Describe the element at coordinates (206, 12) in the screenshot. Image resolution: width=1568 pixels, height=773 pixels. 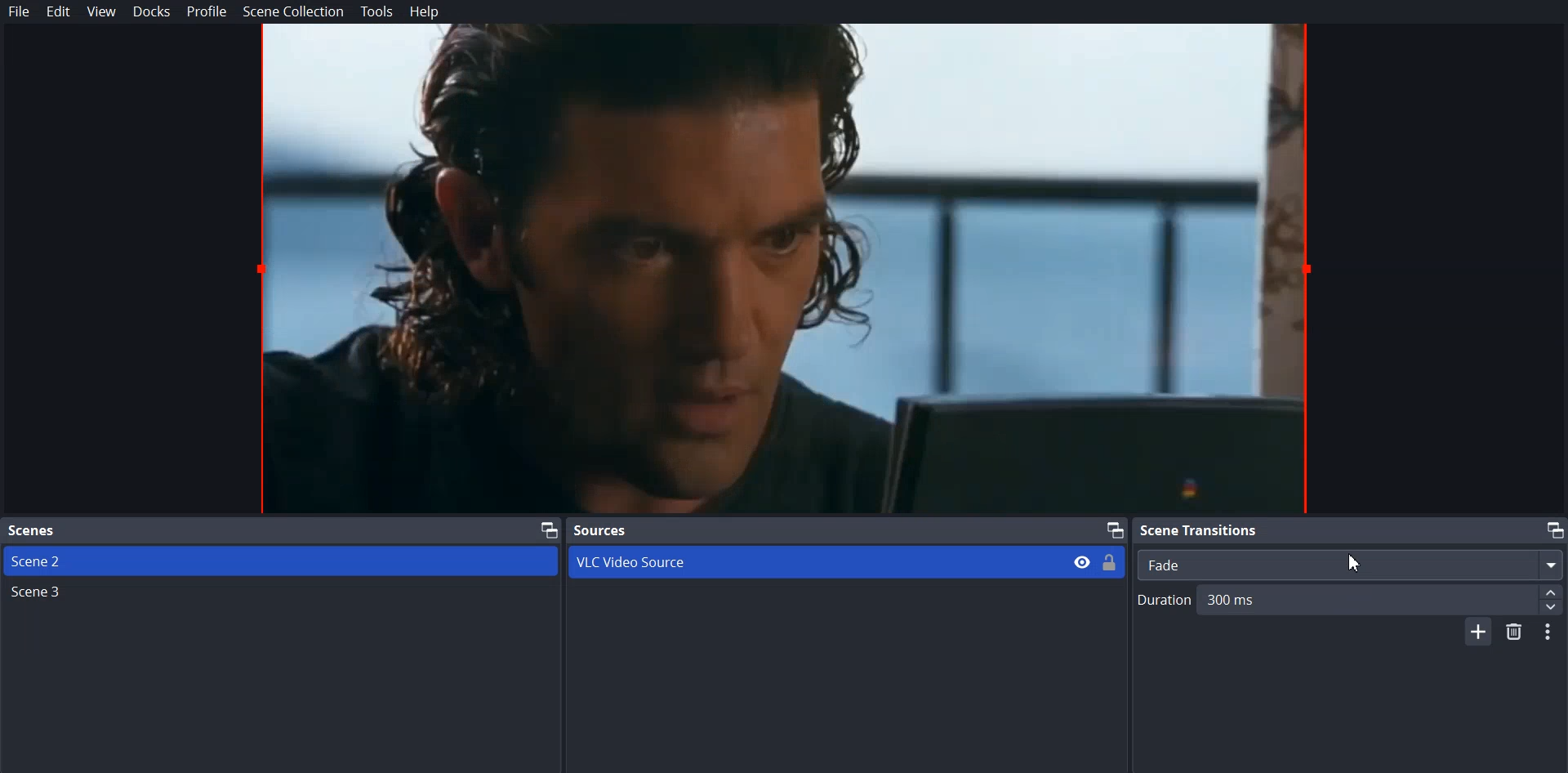
I see `Profile` at that location.